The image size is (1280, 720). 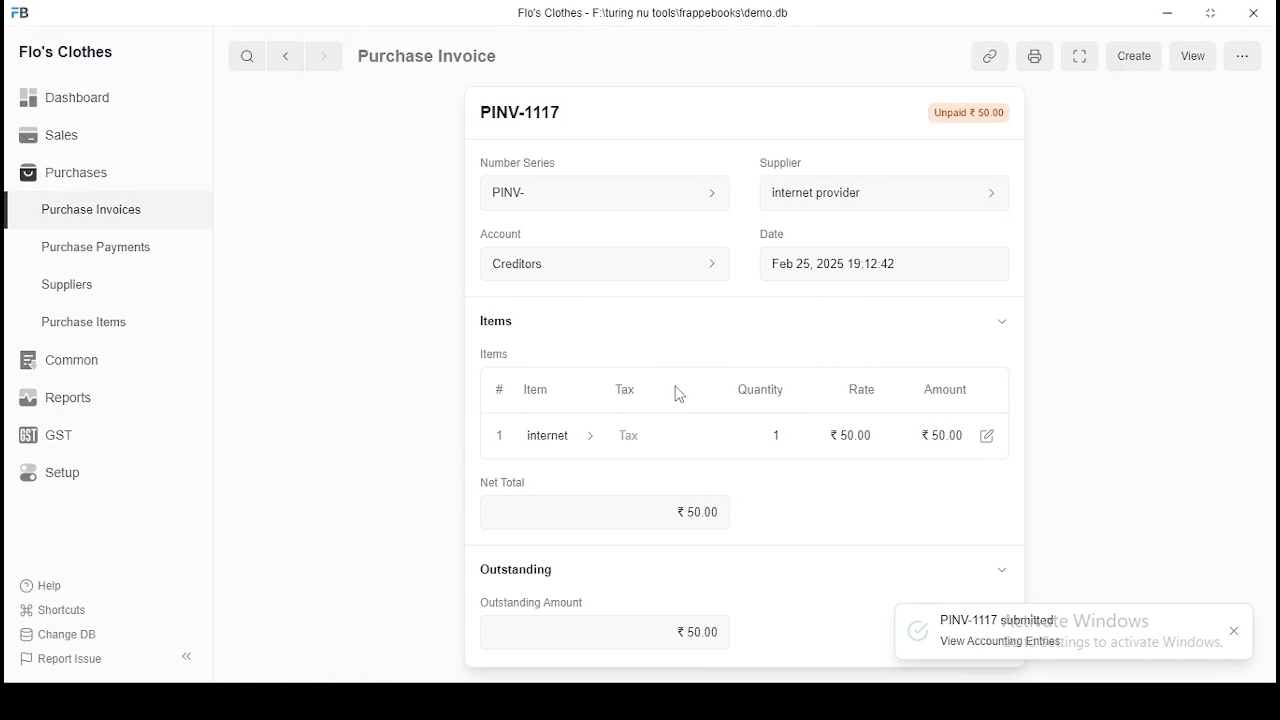 What do you see at coordinates (1192, 57) in the screenshot?
I see `view` at bounding box center [1192, 57].